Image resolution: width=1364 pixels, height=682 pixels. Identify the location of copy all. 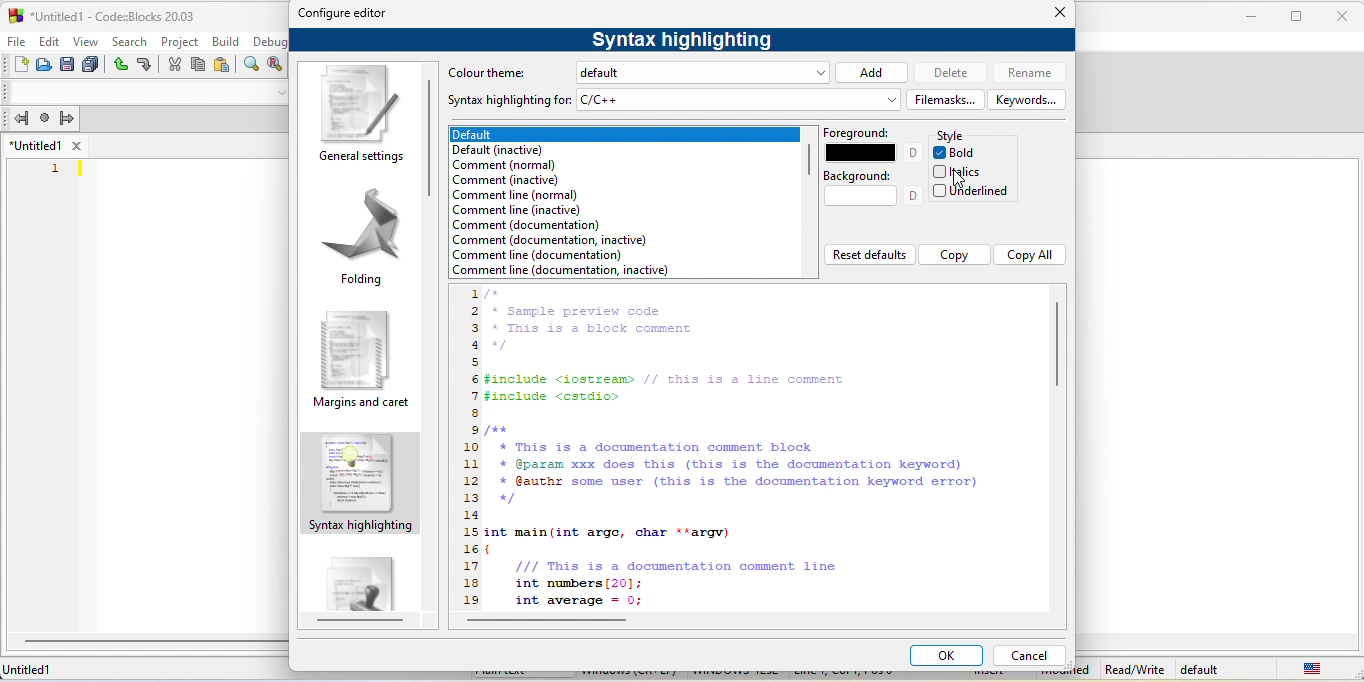
(1029, 255).